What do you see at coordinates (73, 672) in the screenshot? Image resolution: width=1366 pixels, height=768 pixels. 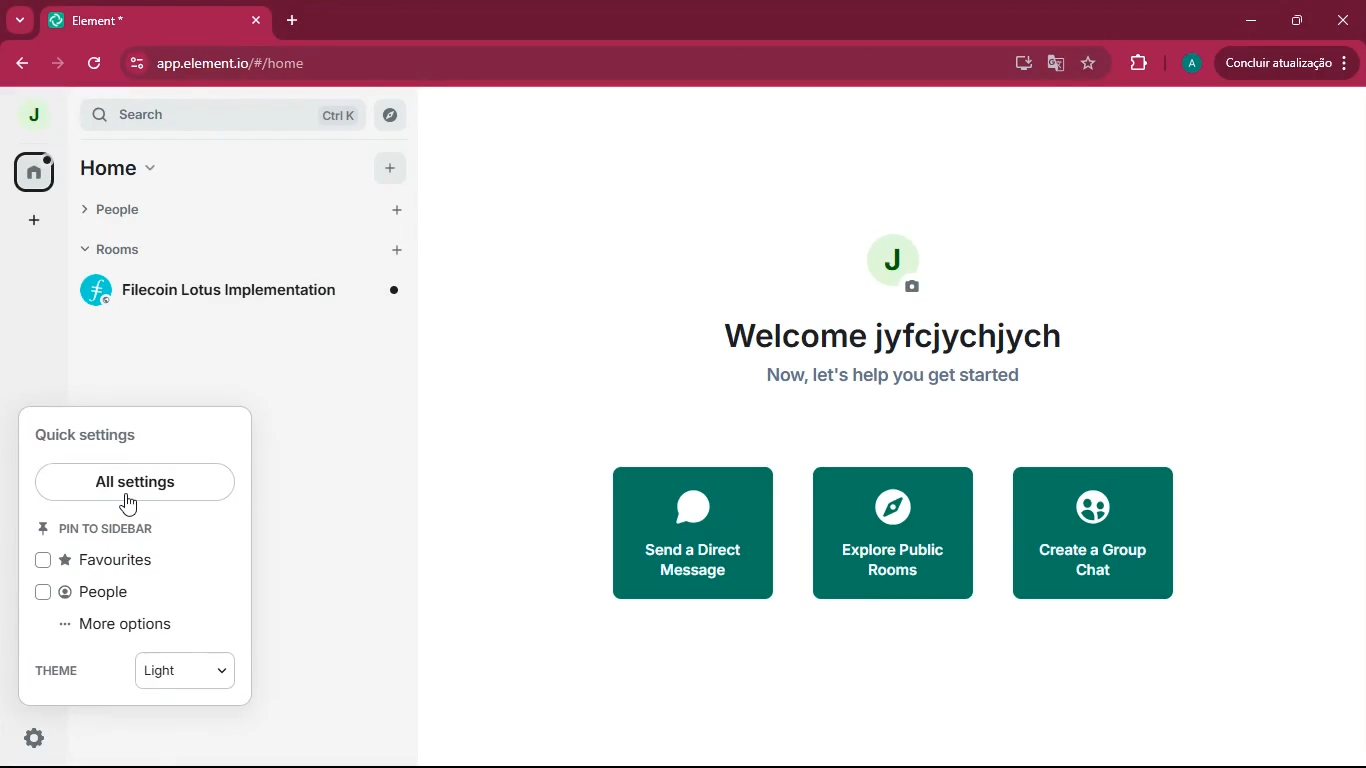 I see `theme` at bounding box center [73, 672].